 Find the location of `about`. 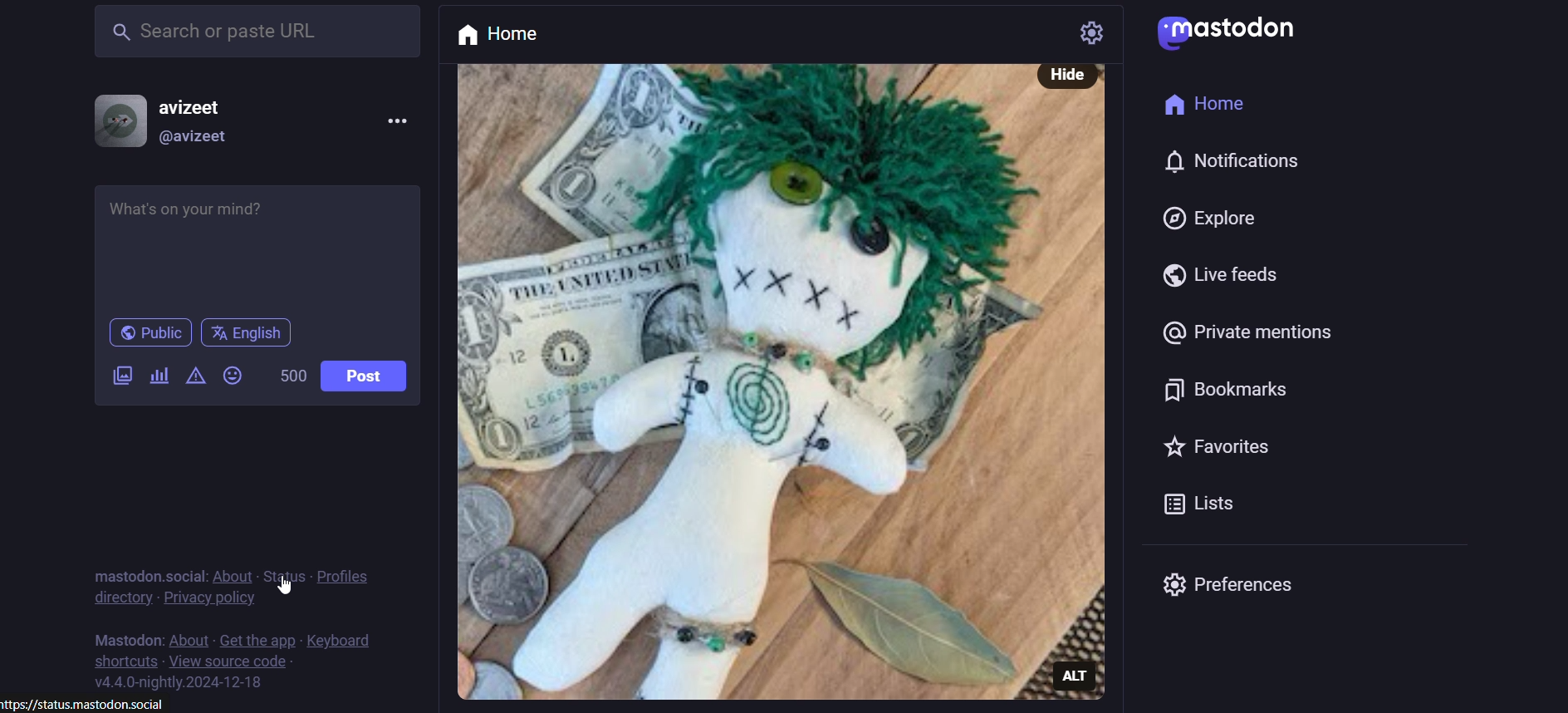

about is located at coordinates (190, 639).